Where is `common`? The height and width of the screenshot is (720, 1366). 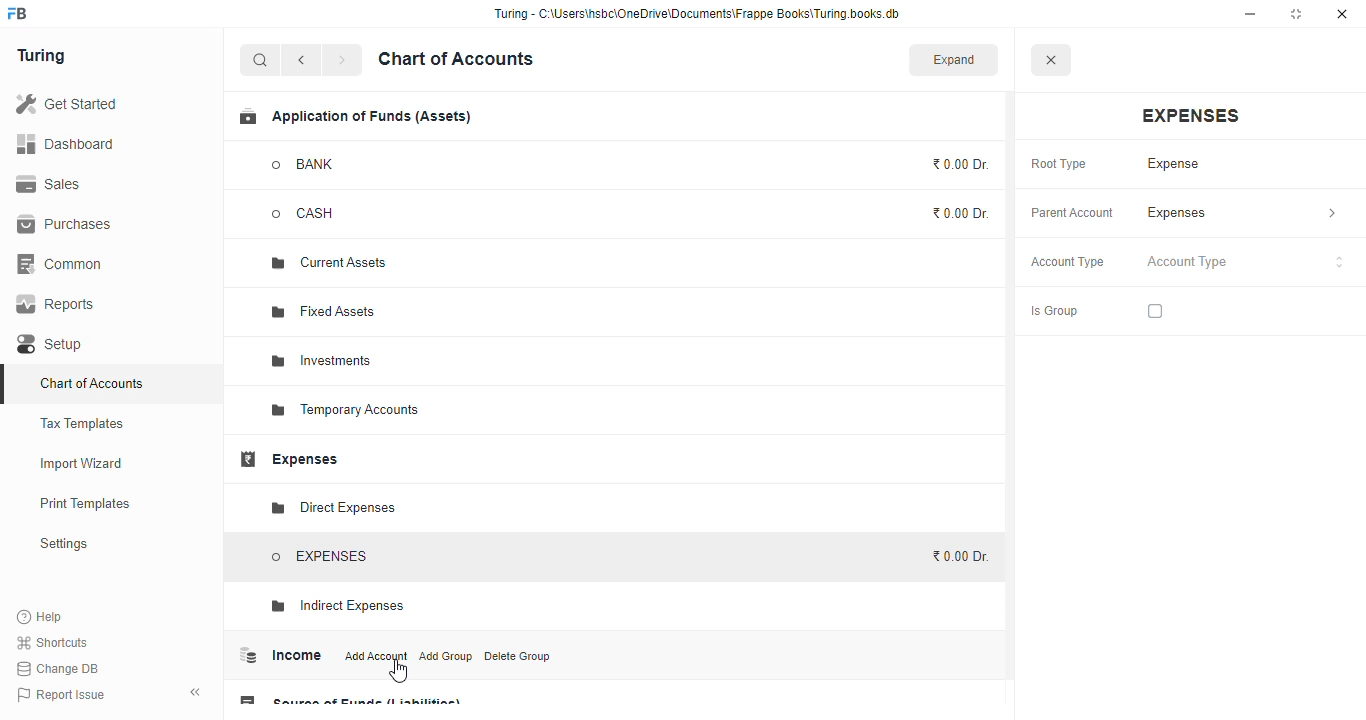 common is located at coordinates (61, 264).